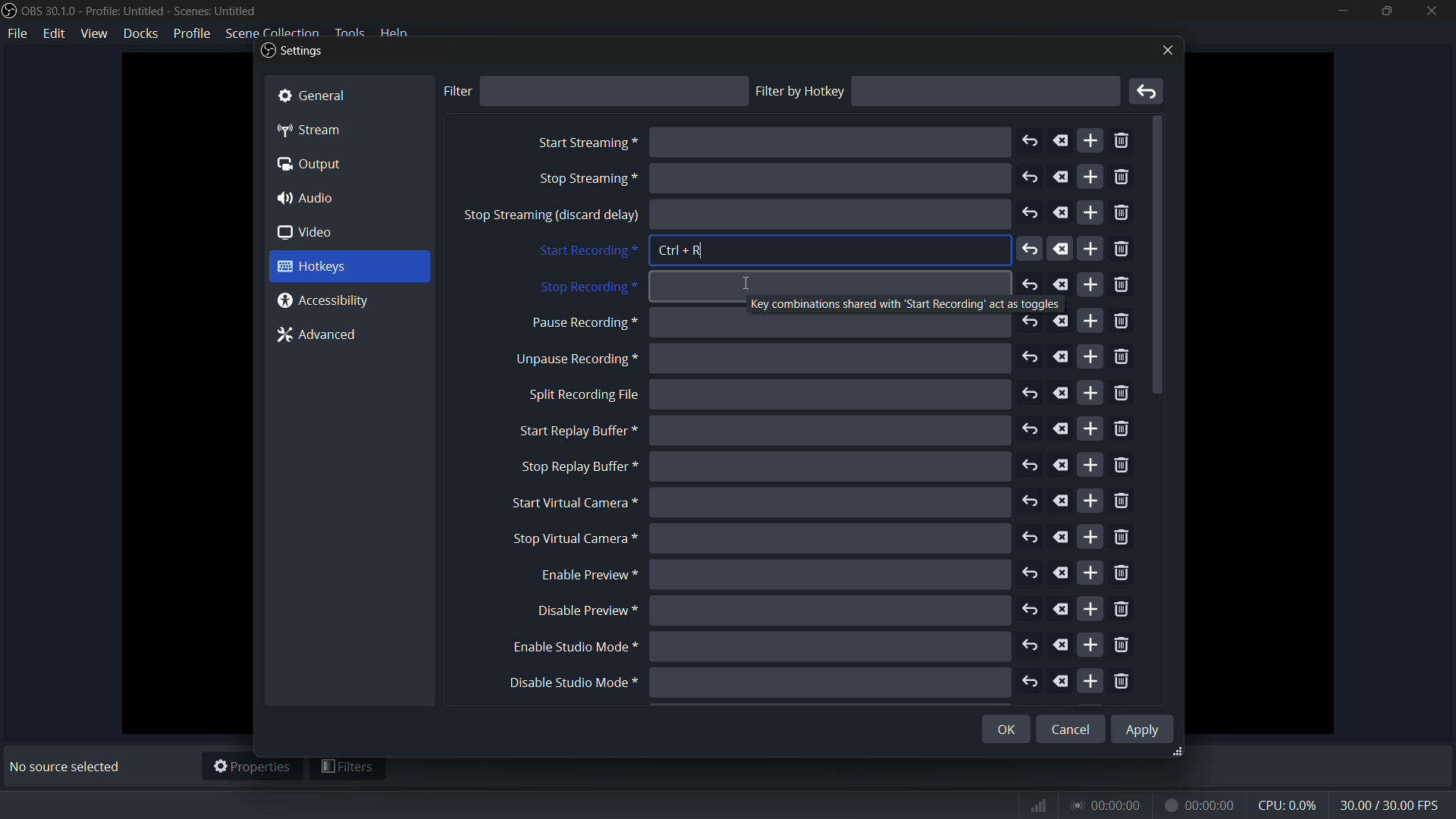 This screenshot has width=1456, height=819. I want to click on 3 Hotkeys, so click(334, 267).